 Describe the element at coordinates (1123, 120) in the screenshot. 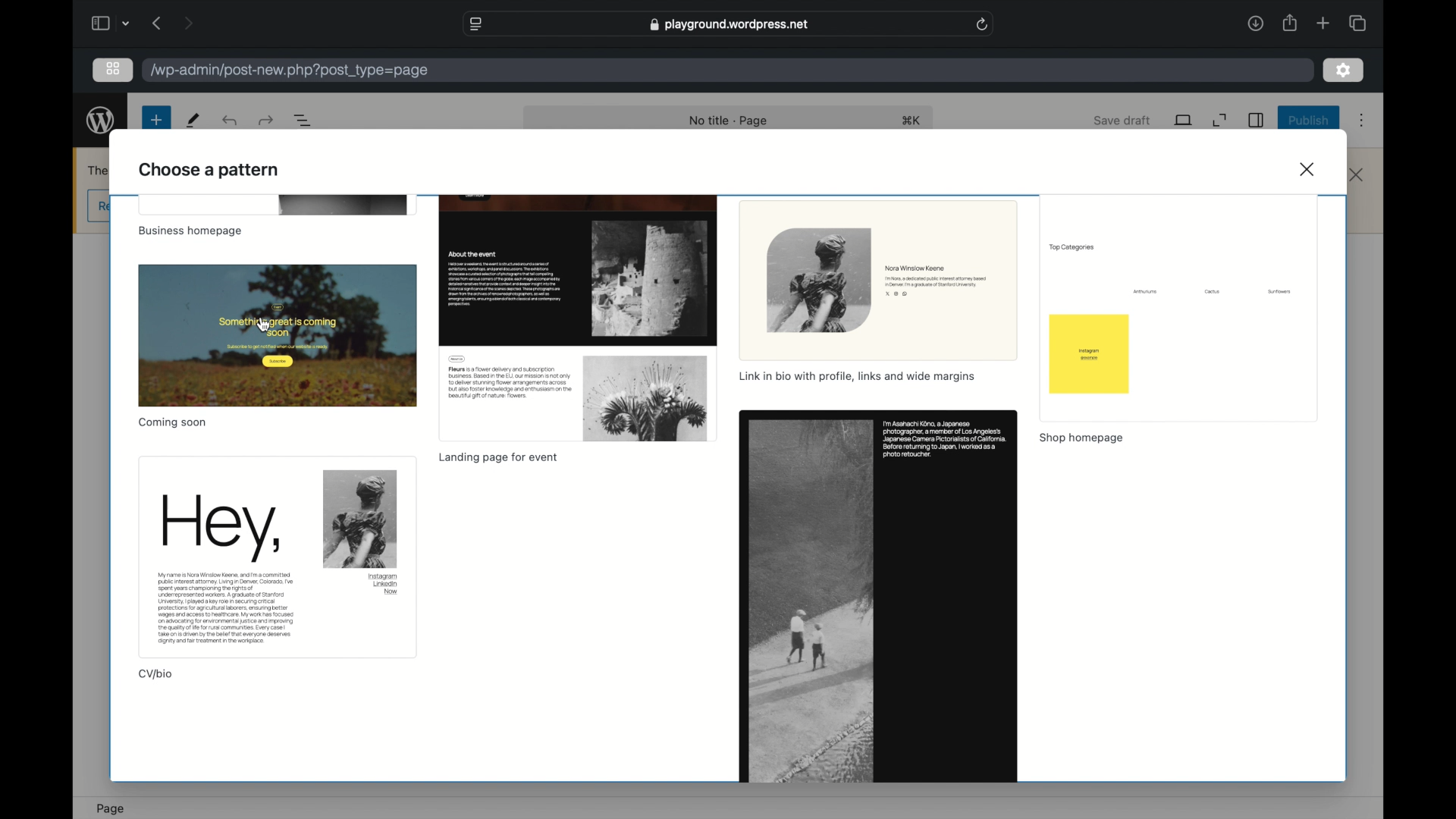

I see `save draft` at that location.